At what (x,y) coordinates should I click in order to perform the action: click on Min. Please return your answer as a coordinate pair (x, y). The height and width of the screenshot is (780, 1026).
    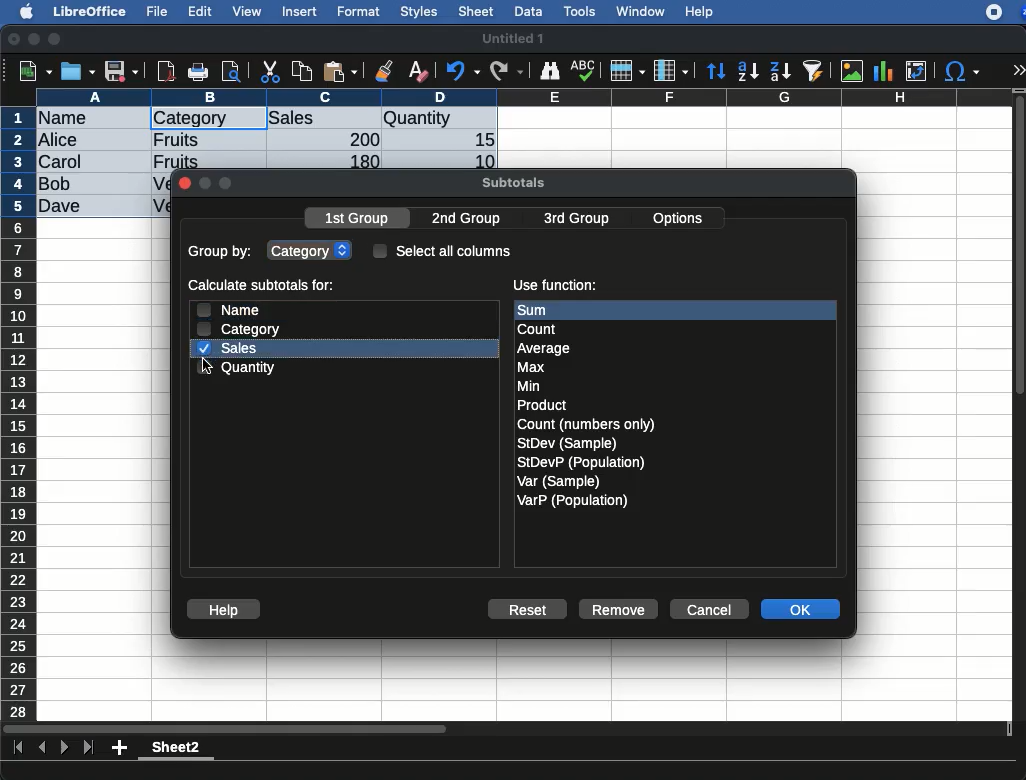
    Looking at the image, I should click on (529, 386).